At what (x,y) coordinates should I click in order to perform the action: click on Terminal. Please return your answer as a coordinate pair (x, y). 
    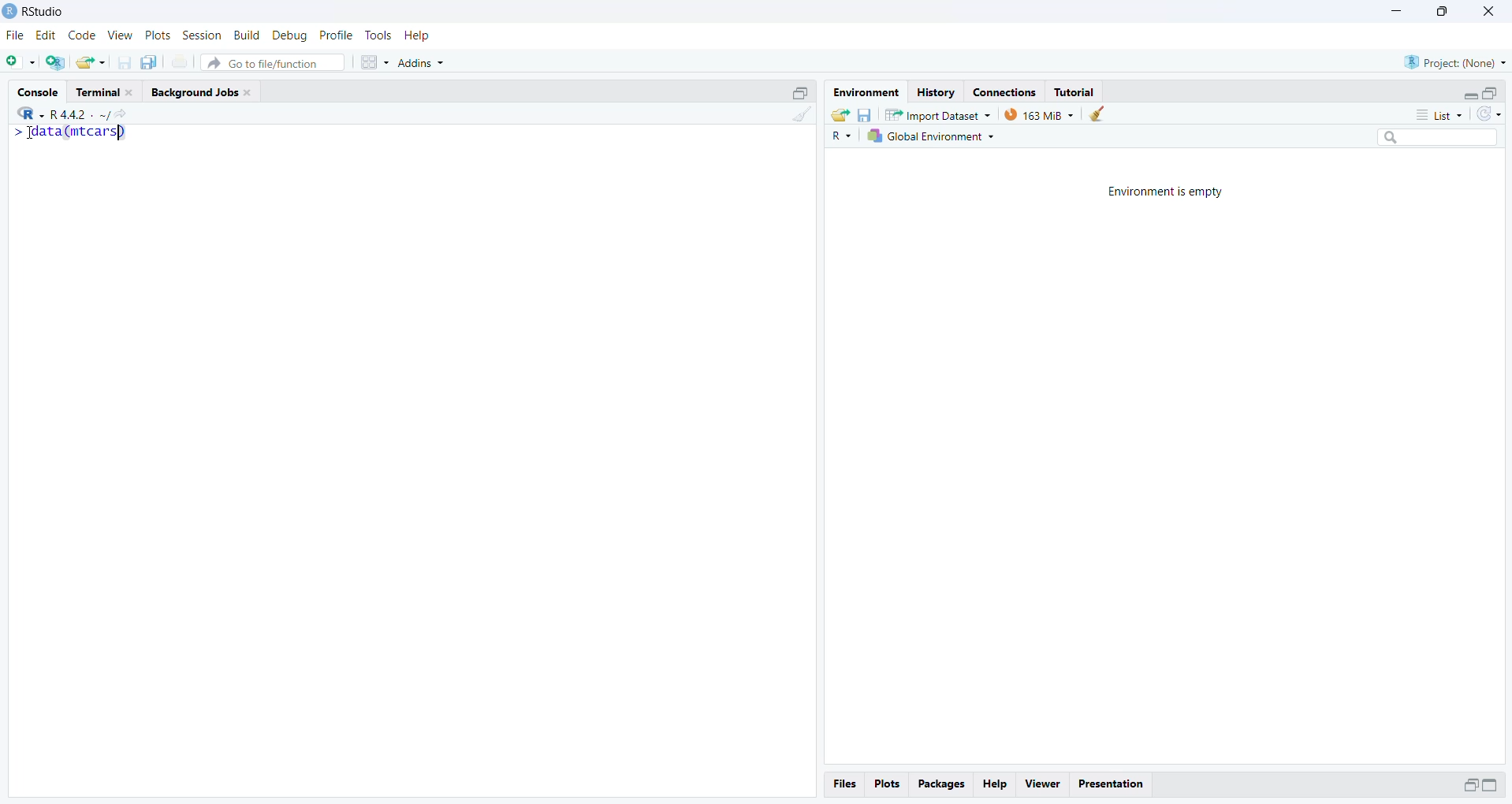
    Looking at the image, I should click on (98, 92).